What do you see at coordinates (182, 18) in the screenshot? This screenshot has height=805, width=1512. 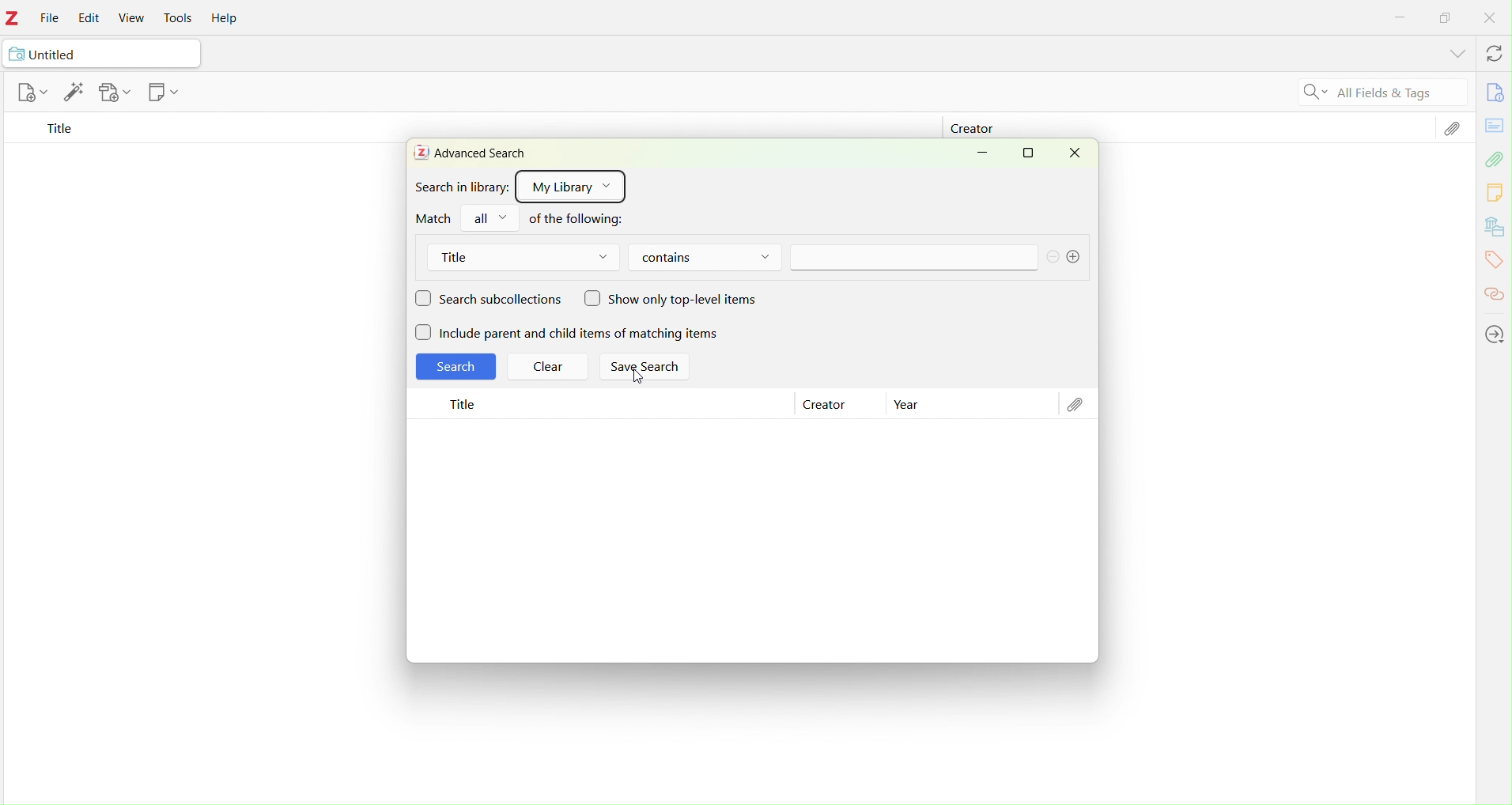 I see `Tools` at bounding box center [182, 18].